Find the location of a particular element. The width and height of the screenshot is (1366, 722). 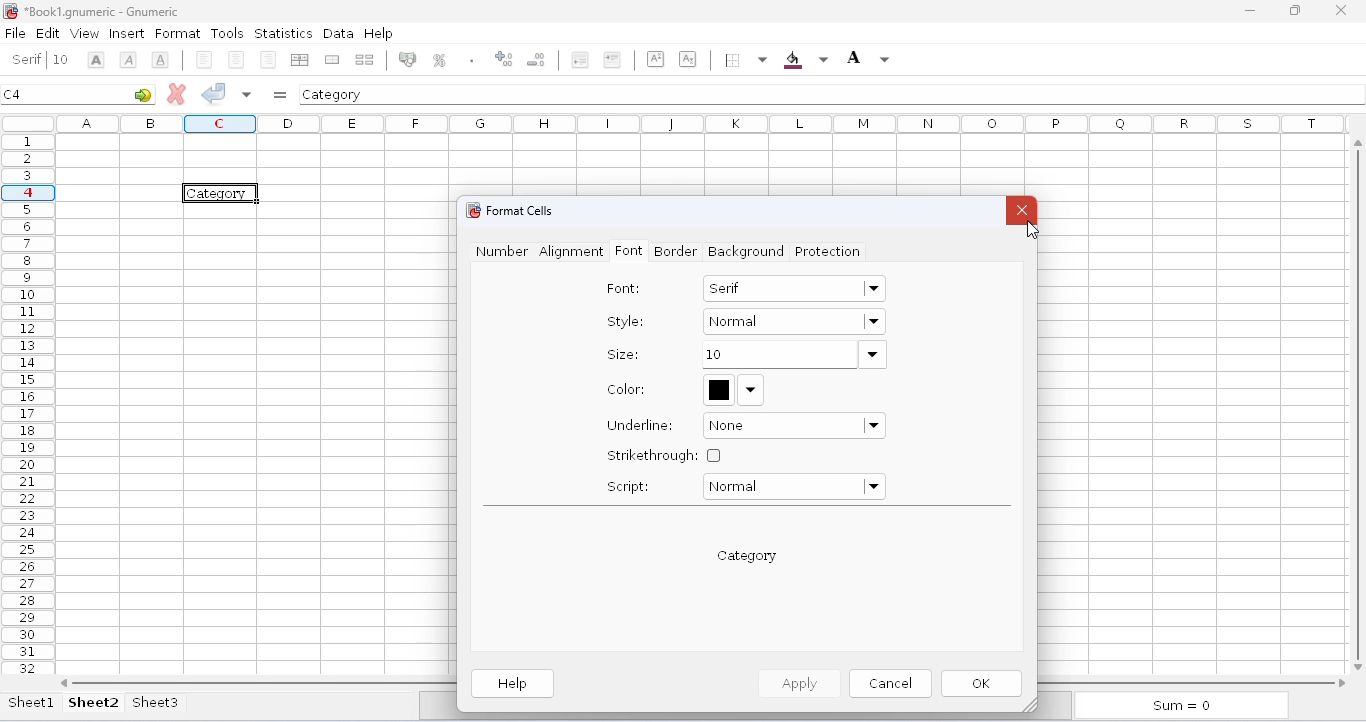

Normal is located at coordinates (794, 324).